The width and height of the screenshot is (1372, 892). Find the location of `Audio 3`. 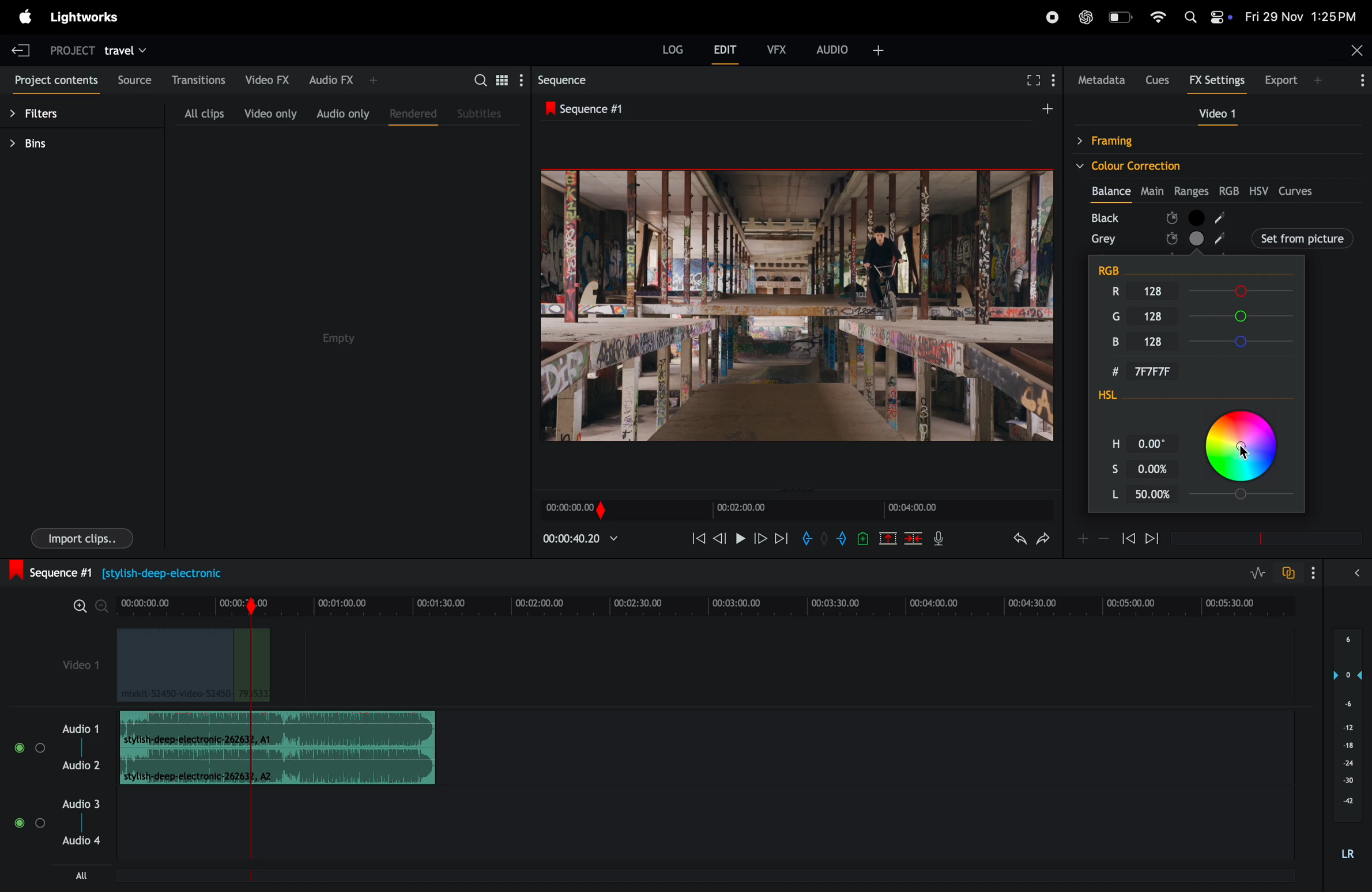

Audio 3 is located at coordinates (83, 803).